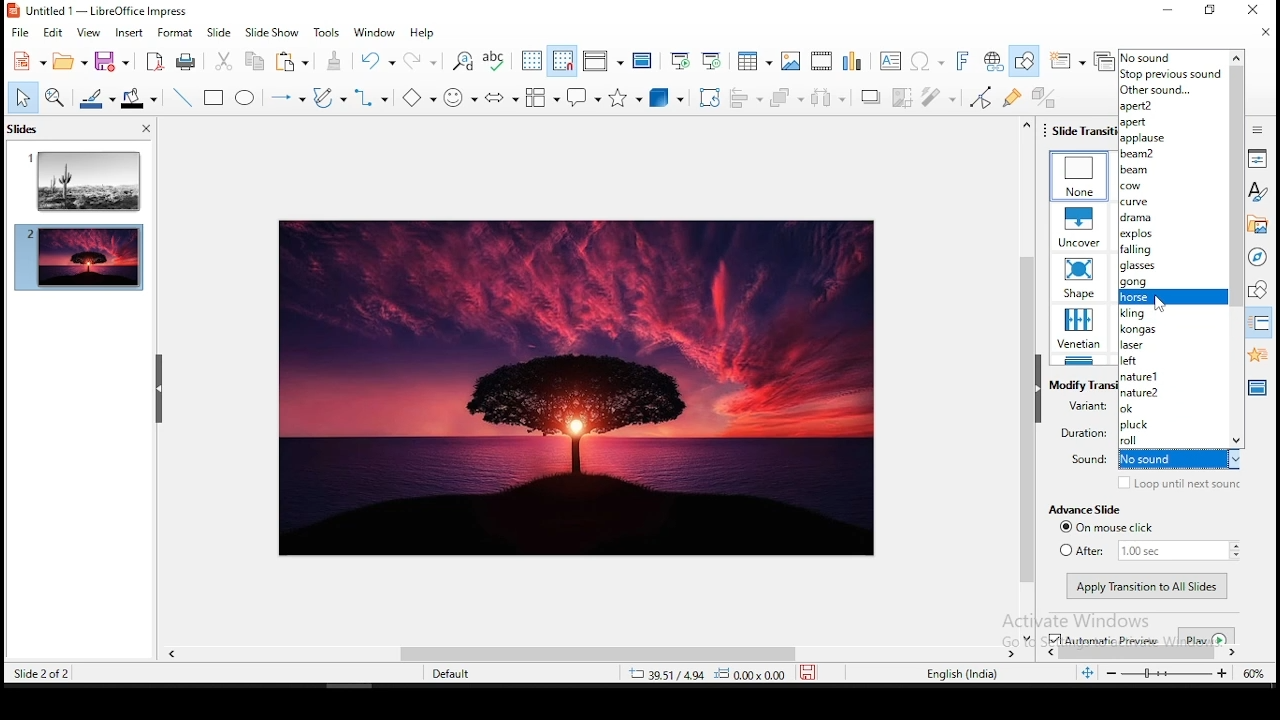  Describe the element at coordinates (1079, 226) in the screenshot. I see `transition effects` at that location.